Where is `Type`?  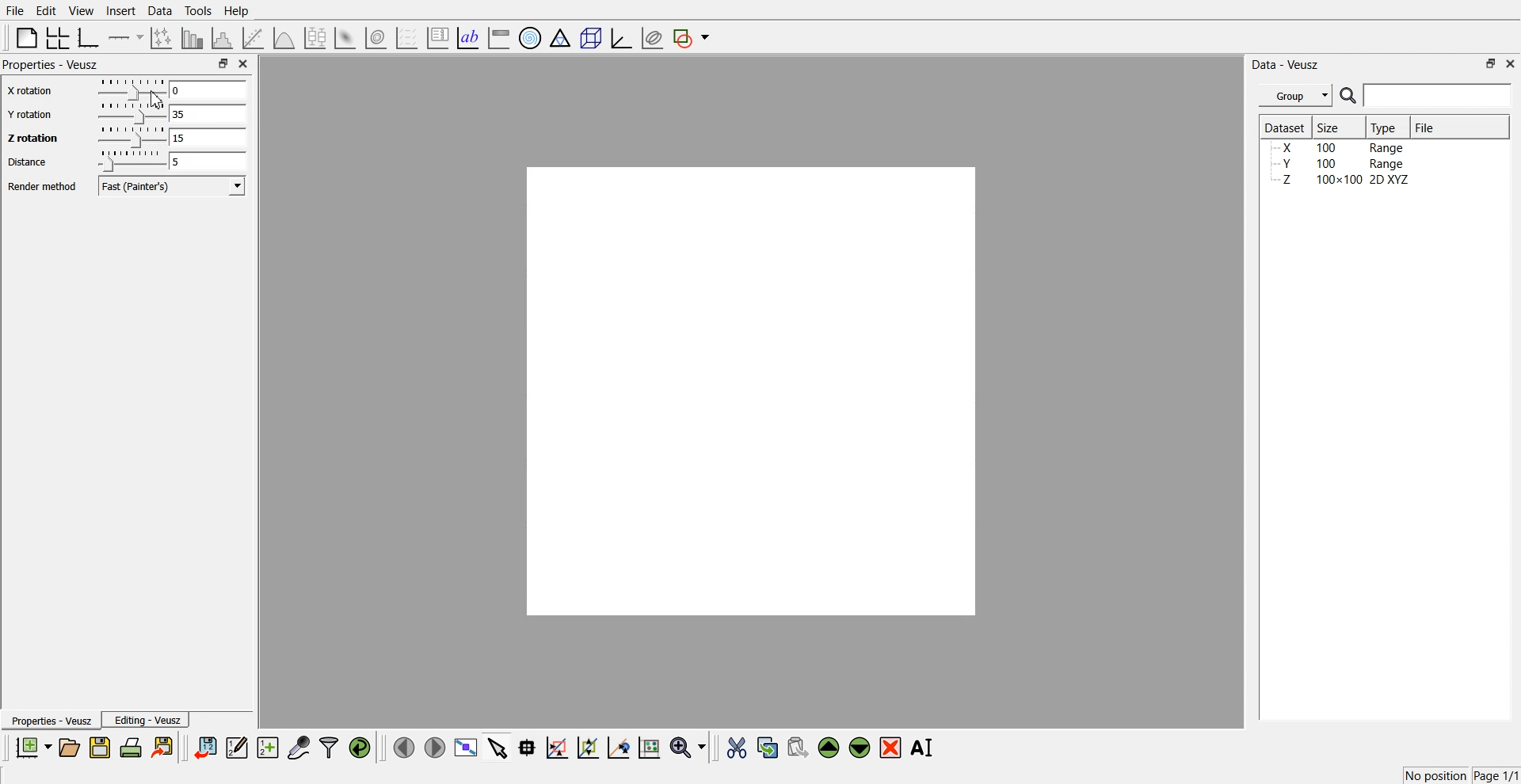
Type is located at coordinates (1386, 127).